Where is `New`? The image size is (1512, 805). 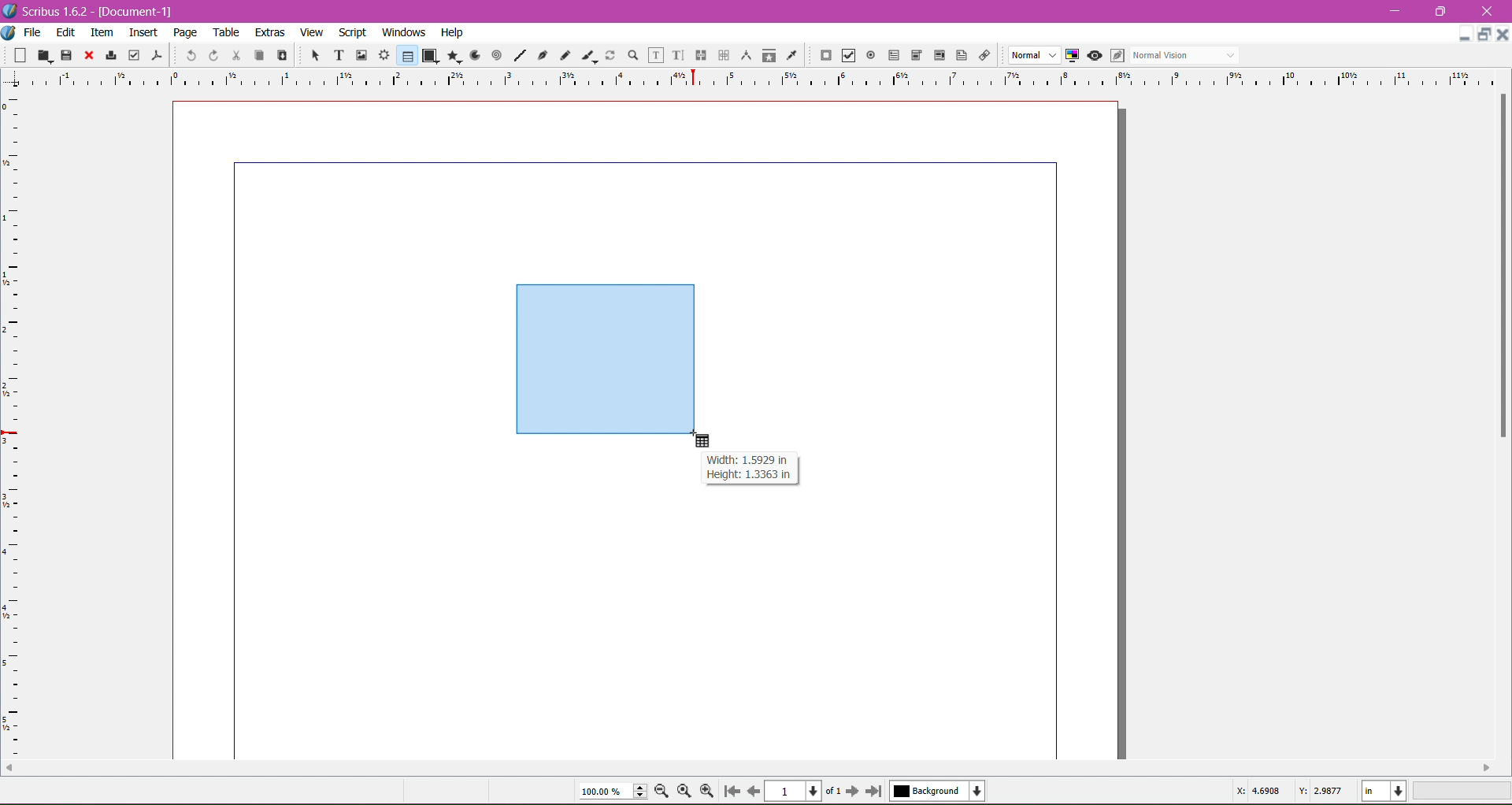 New is located at coordinates (22, 54).